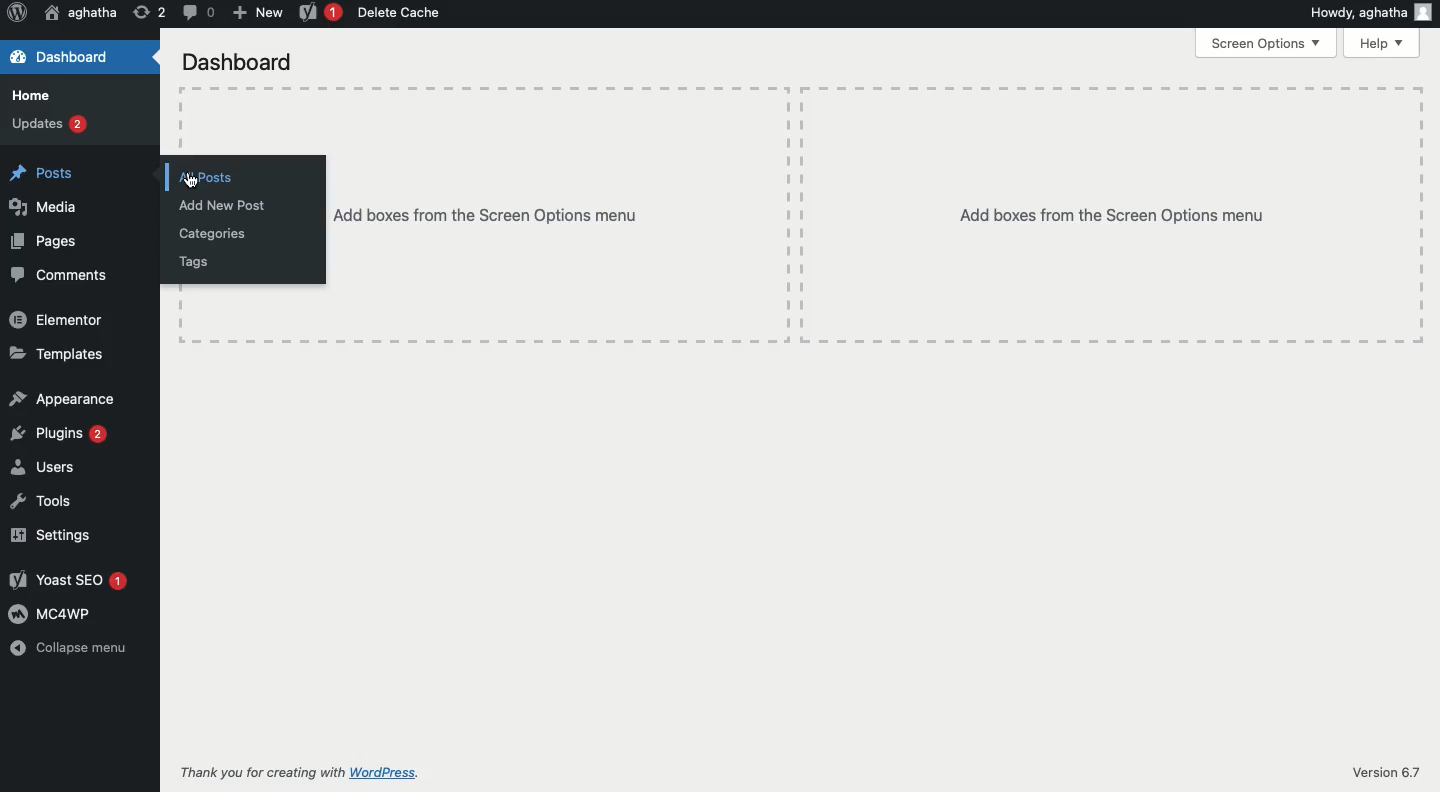 This screenshot has width=1440, height=792. What do you see at coordinates (149, 12) in the screenshot?
I see `Revision` at bounding box center [149, 12].